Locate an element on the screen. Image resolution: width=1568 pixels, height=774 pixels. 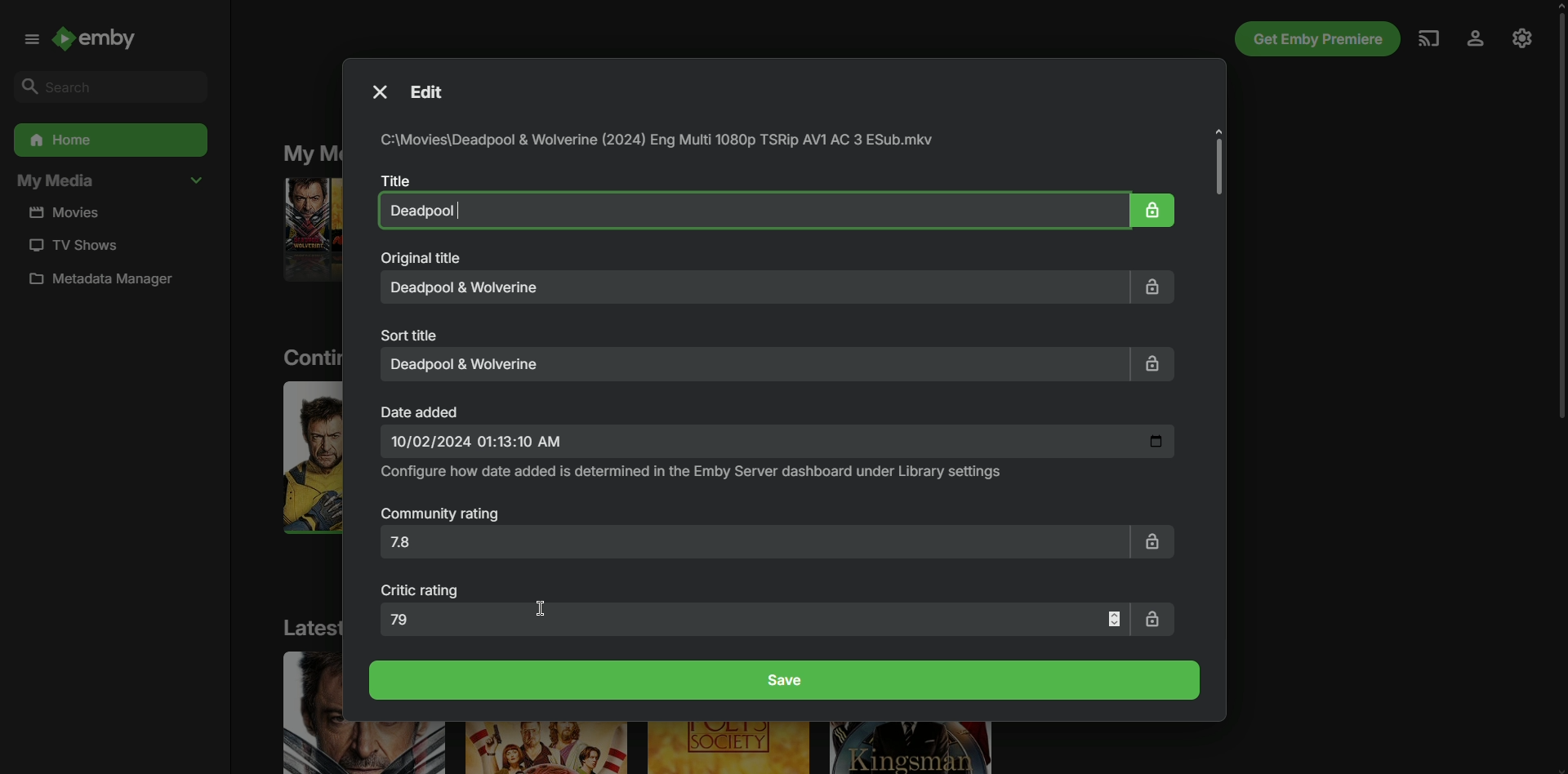
Lock is located at coordinates (1153, 540).